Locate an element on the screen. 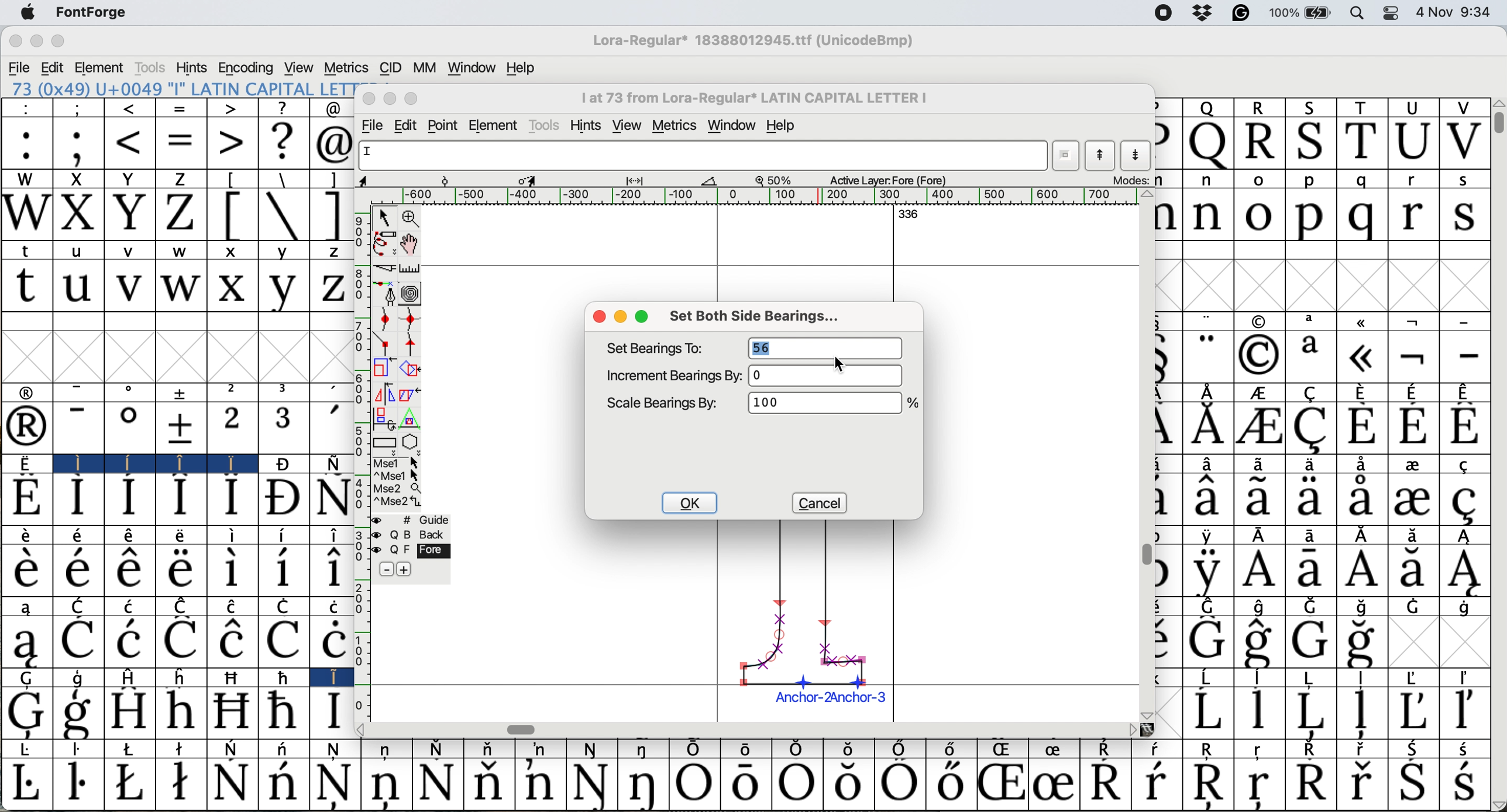 This screenshot has height=812, width=1507. Symbol is located at coordinates (1414, 356).